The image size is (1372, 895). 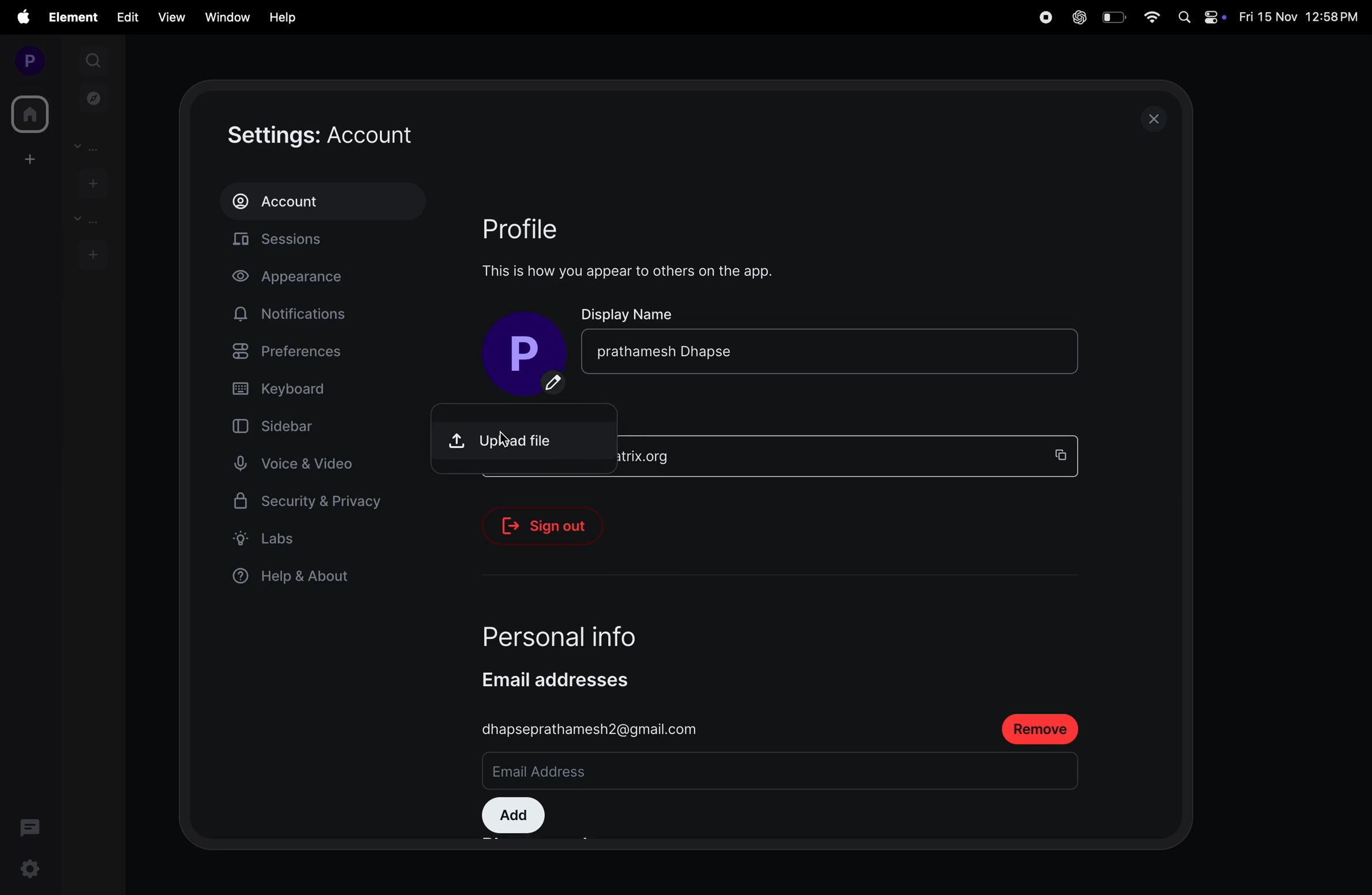 What do you see at coordinates (28, 114) in the screenshot?
I see `home` at bounding box center [28, 114].